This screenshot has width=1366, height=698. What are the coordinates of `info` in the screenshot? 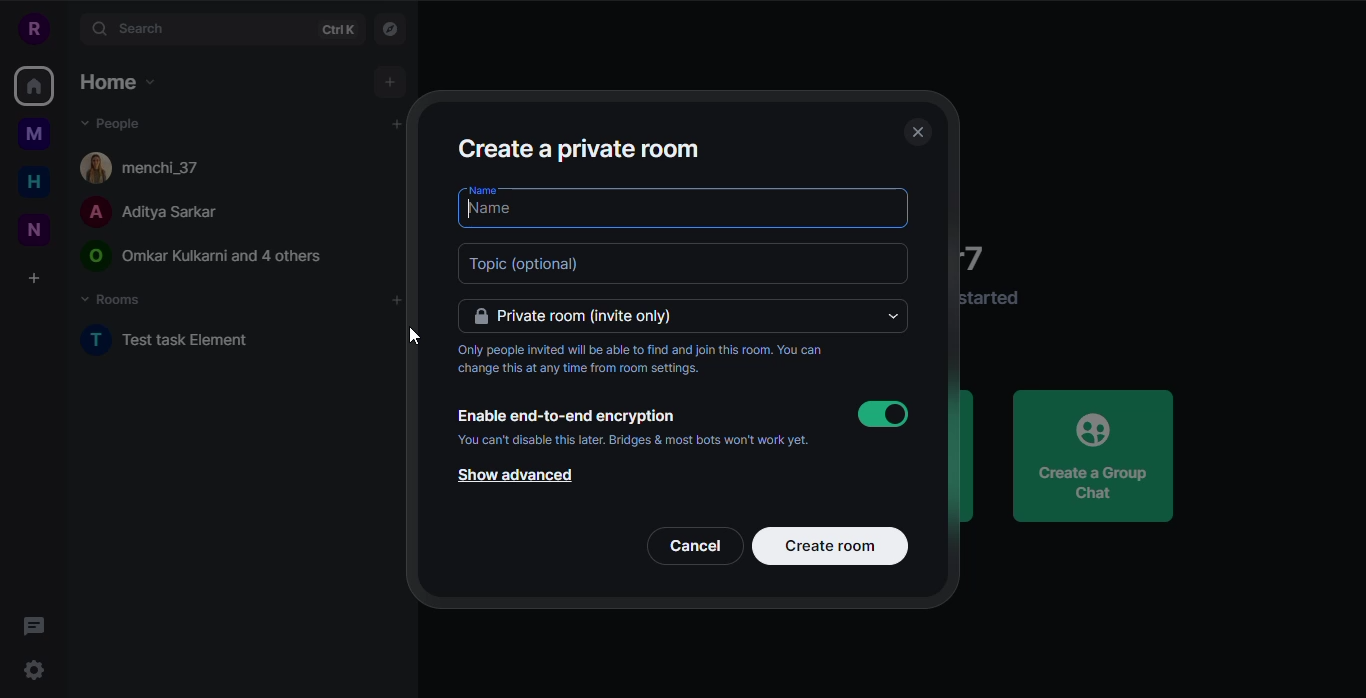 It's located at (652, 361).